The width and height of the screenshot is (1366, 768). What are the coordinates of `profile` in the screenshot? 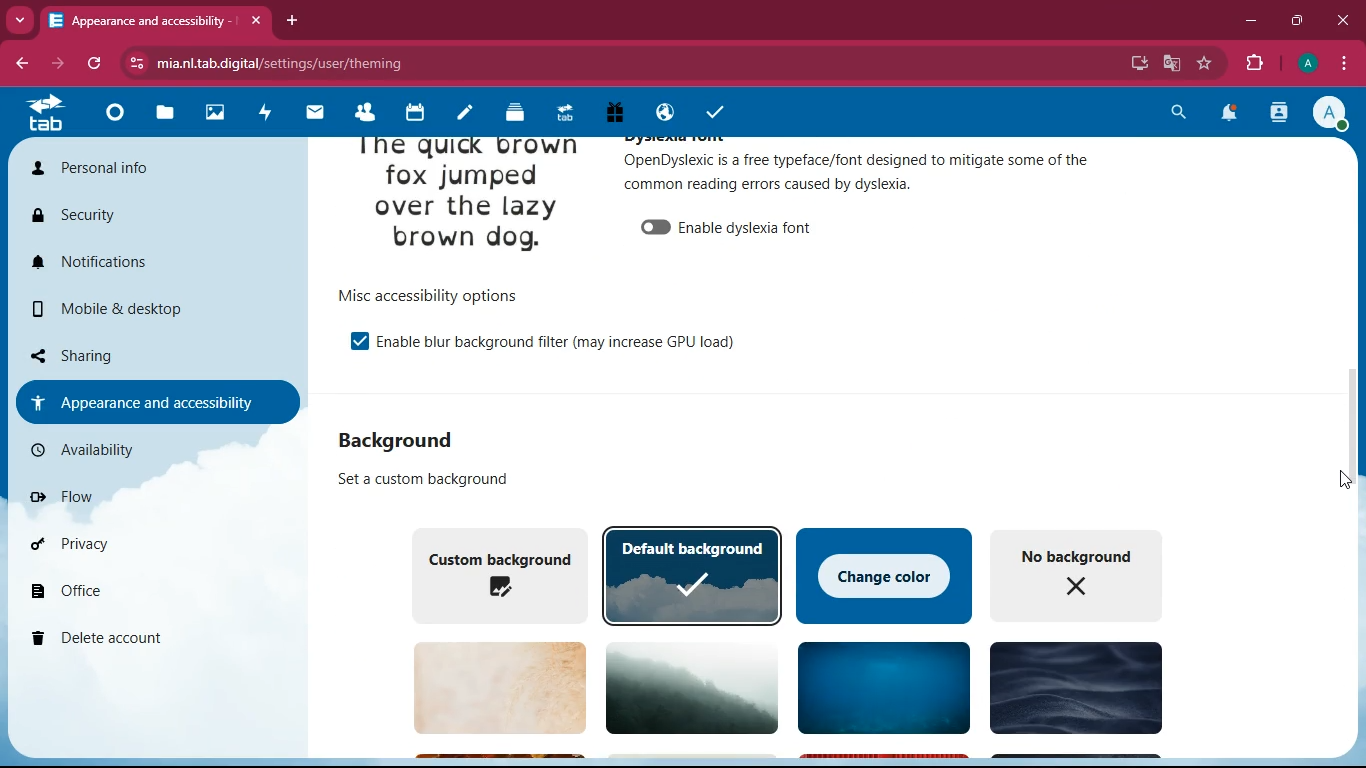 It's located at (1306, 64).